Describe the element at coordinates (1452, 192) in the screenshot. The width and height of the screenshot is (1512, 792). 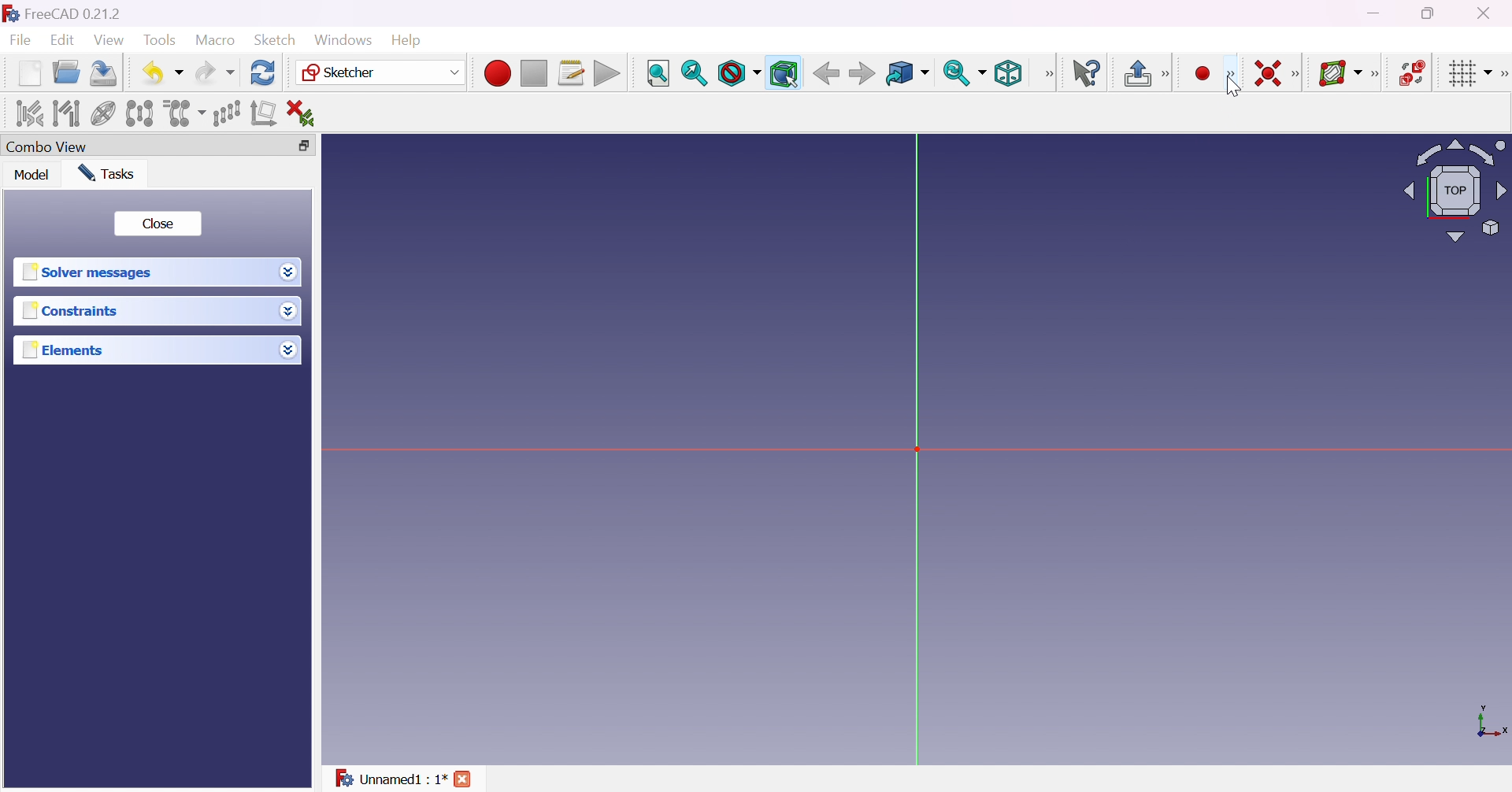
I see `Viewing angle` at that location.